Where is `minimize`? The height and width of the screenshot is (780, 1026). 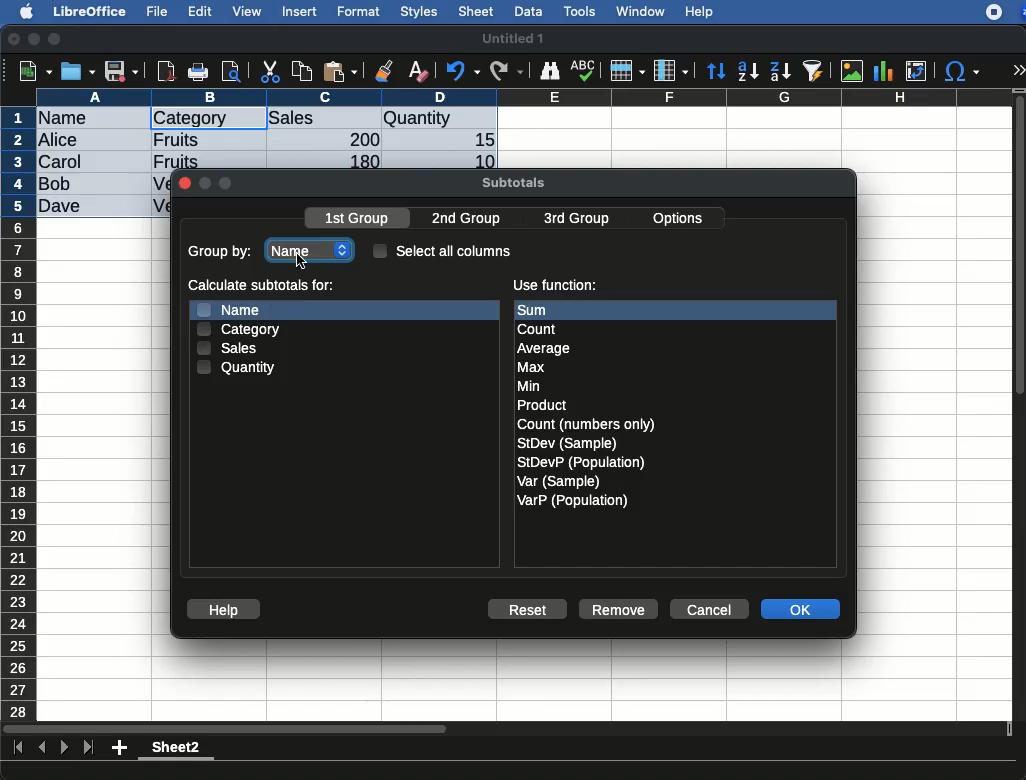 minimize is located at coordinates (35, 39).